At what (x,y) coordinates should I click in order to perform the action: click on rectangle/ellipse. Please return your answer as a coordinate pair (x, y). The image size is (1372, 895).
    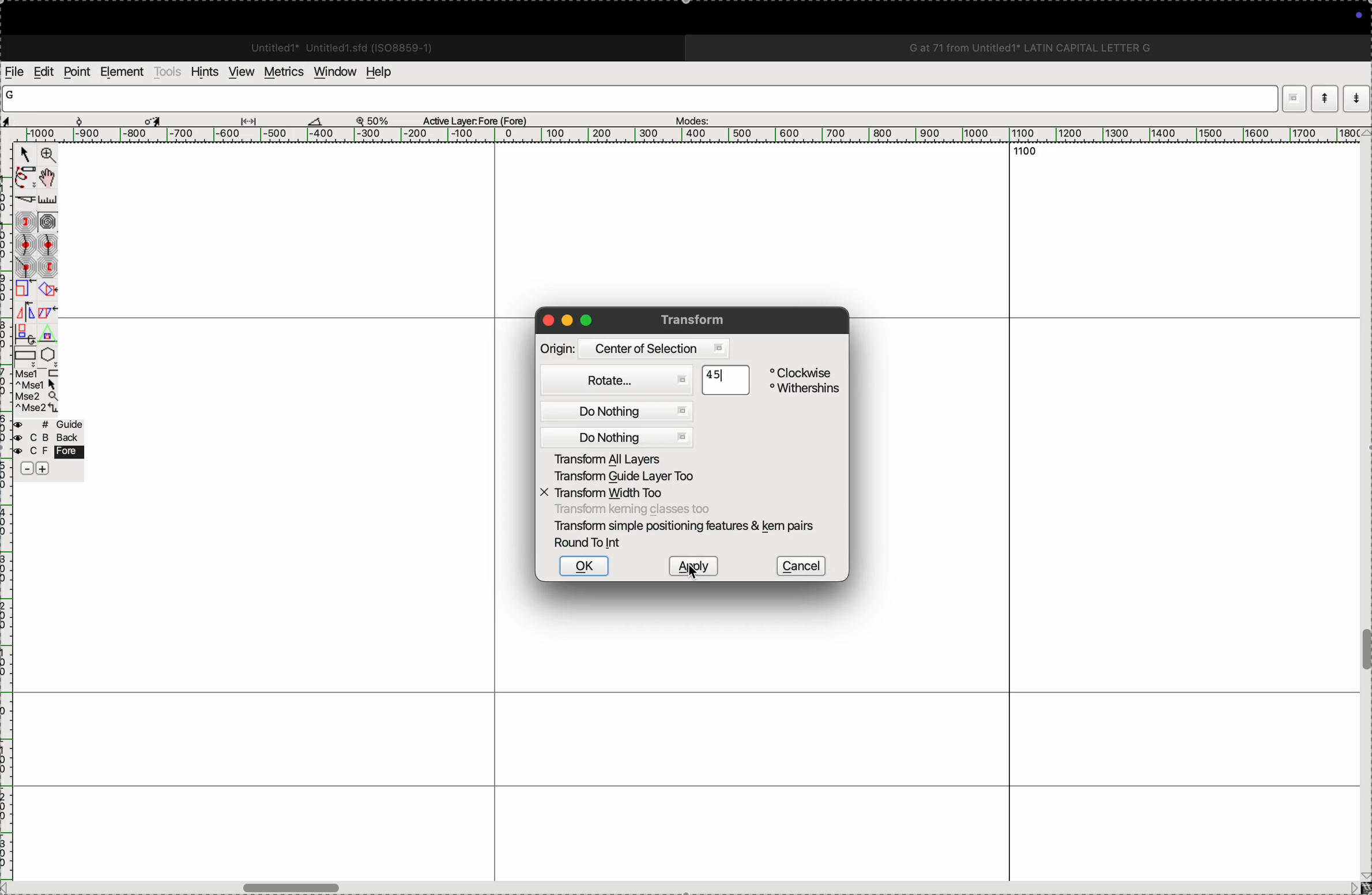
    Looking at the image, I should click on (26, 355).